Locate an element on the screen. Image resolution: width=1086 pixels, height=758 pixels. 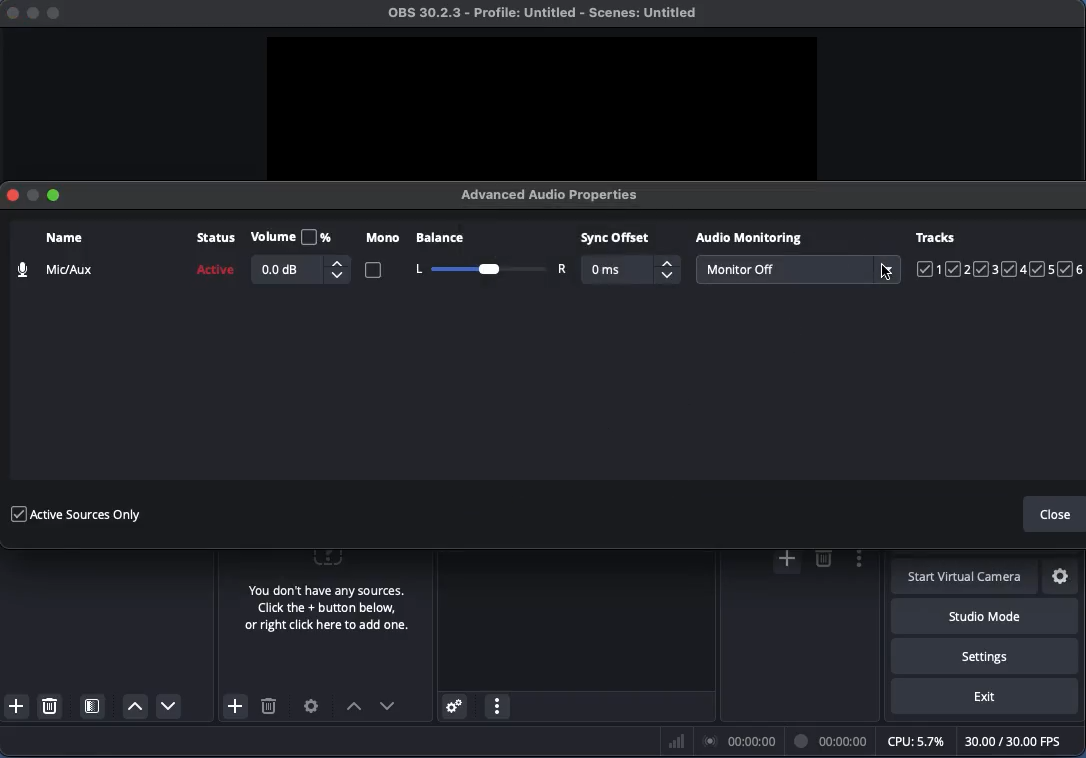
Exit is located at coordinates (985, 697).